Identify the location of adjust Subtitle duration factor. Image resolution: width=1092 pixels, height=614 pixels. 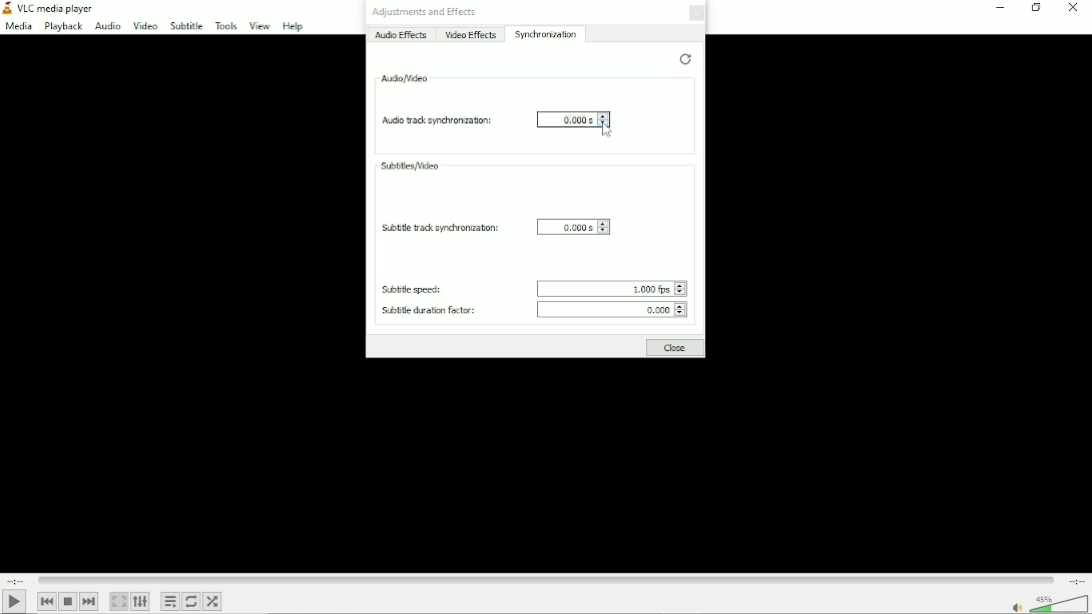
(679, 309).